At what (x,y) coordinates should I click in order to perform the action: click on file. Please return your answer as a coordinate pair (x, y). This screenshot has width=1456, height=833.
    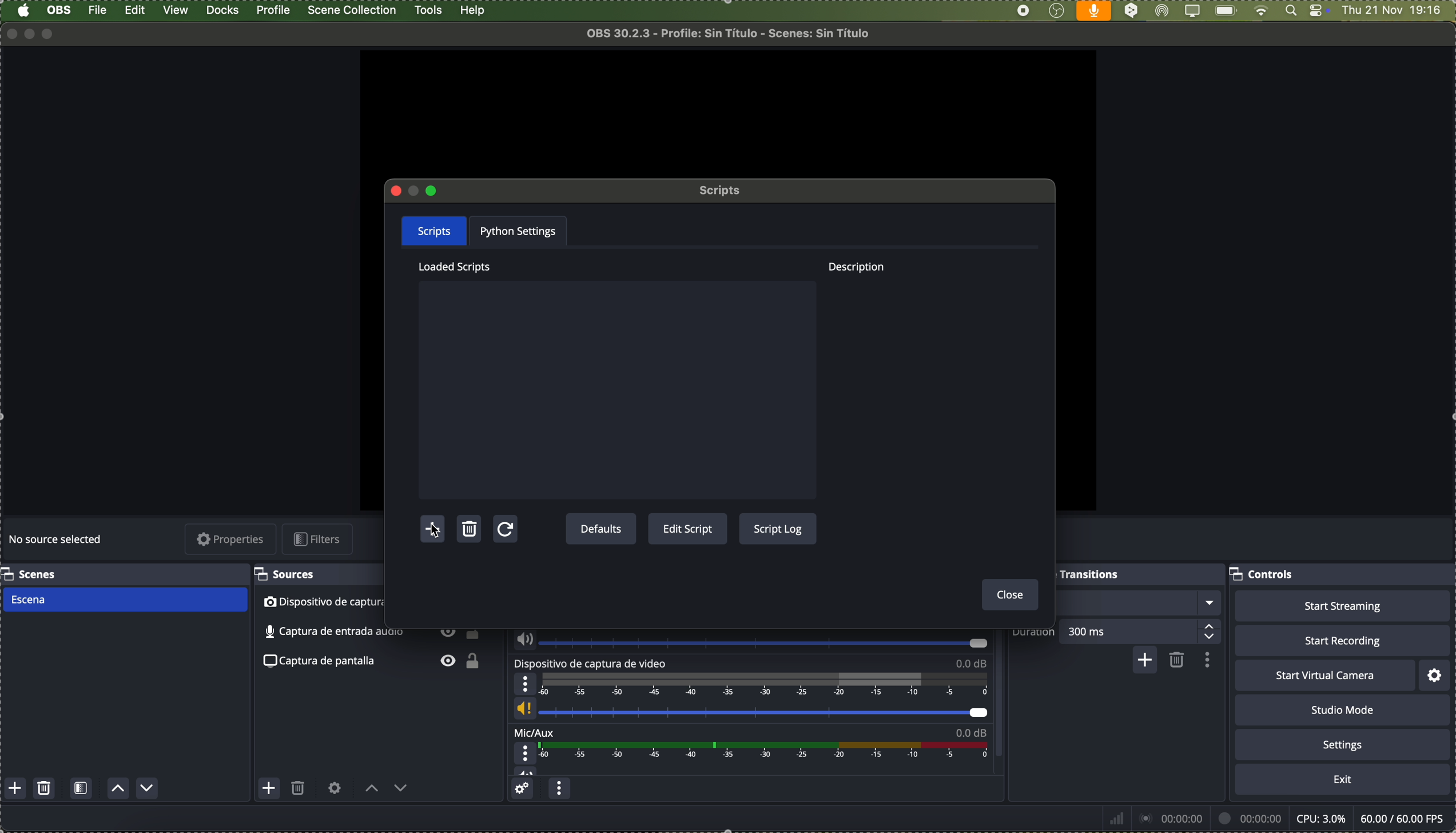
    Looking at the image, I should click on (99, 10).